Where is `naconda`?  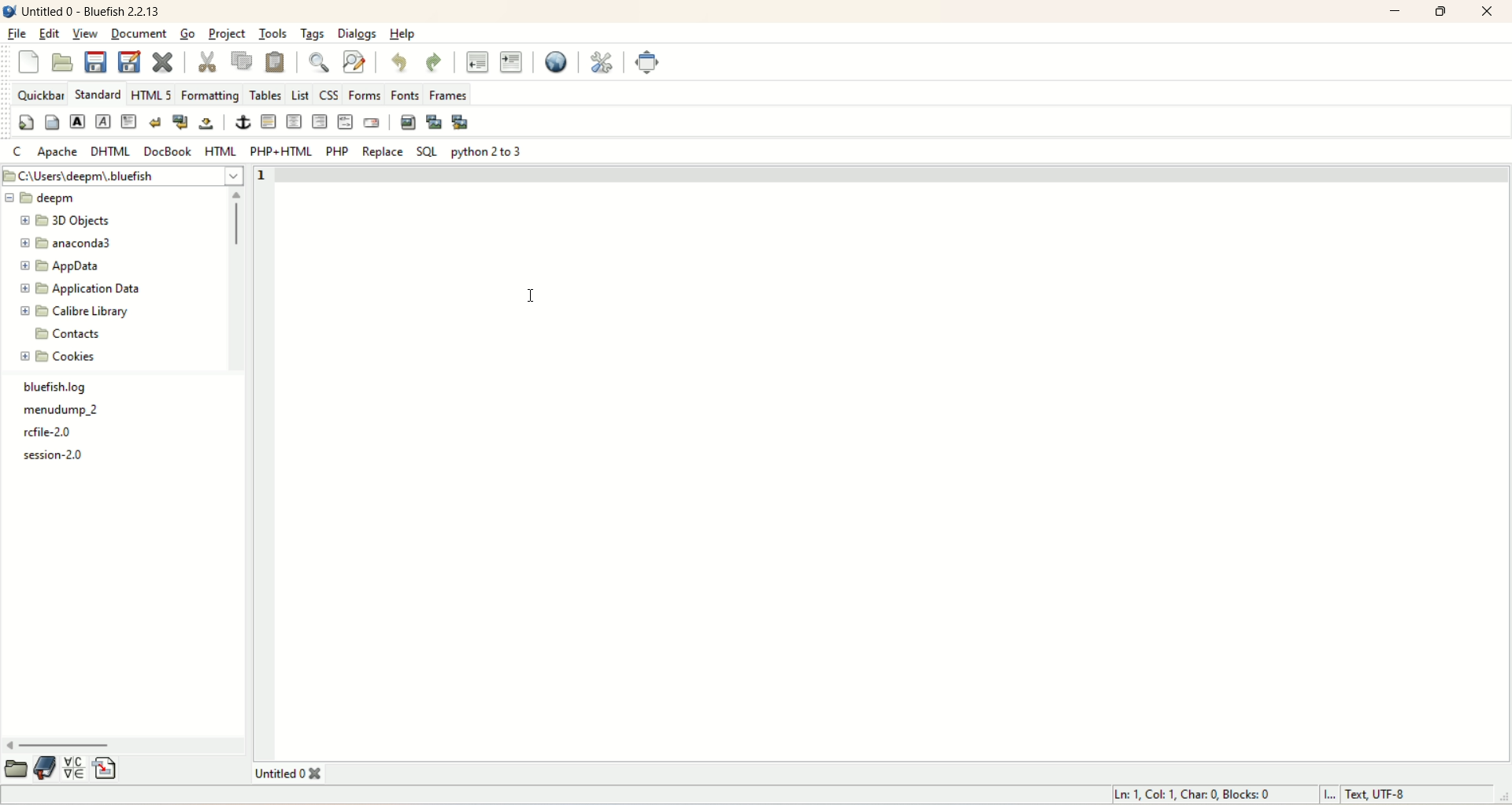
naconda is located at coordinates (71, 244).